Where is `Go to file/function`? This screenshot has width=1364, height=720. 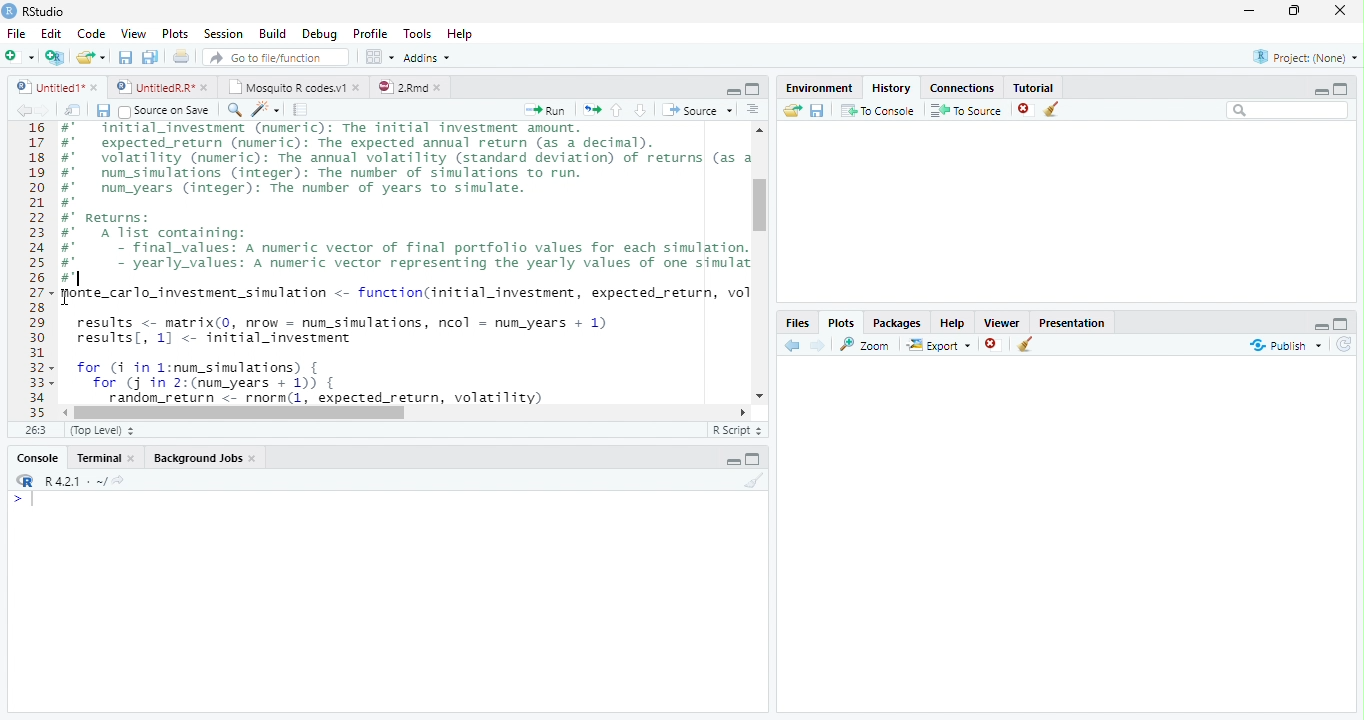
Go to file/function is located at coordinates (274, 57).